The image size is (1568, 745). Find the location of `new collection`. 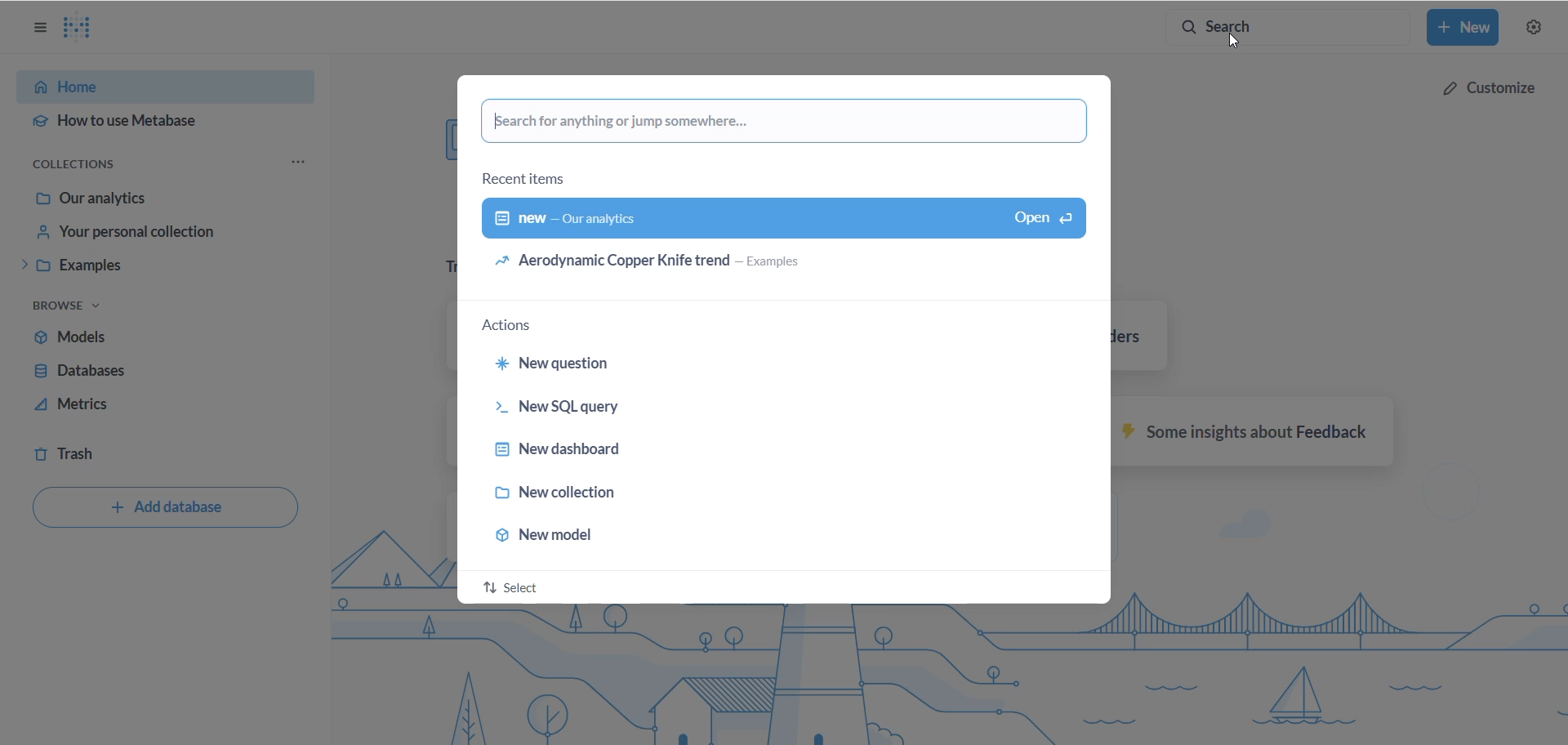

new collection is located at coordinates (758, 497).